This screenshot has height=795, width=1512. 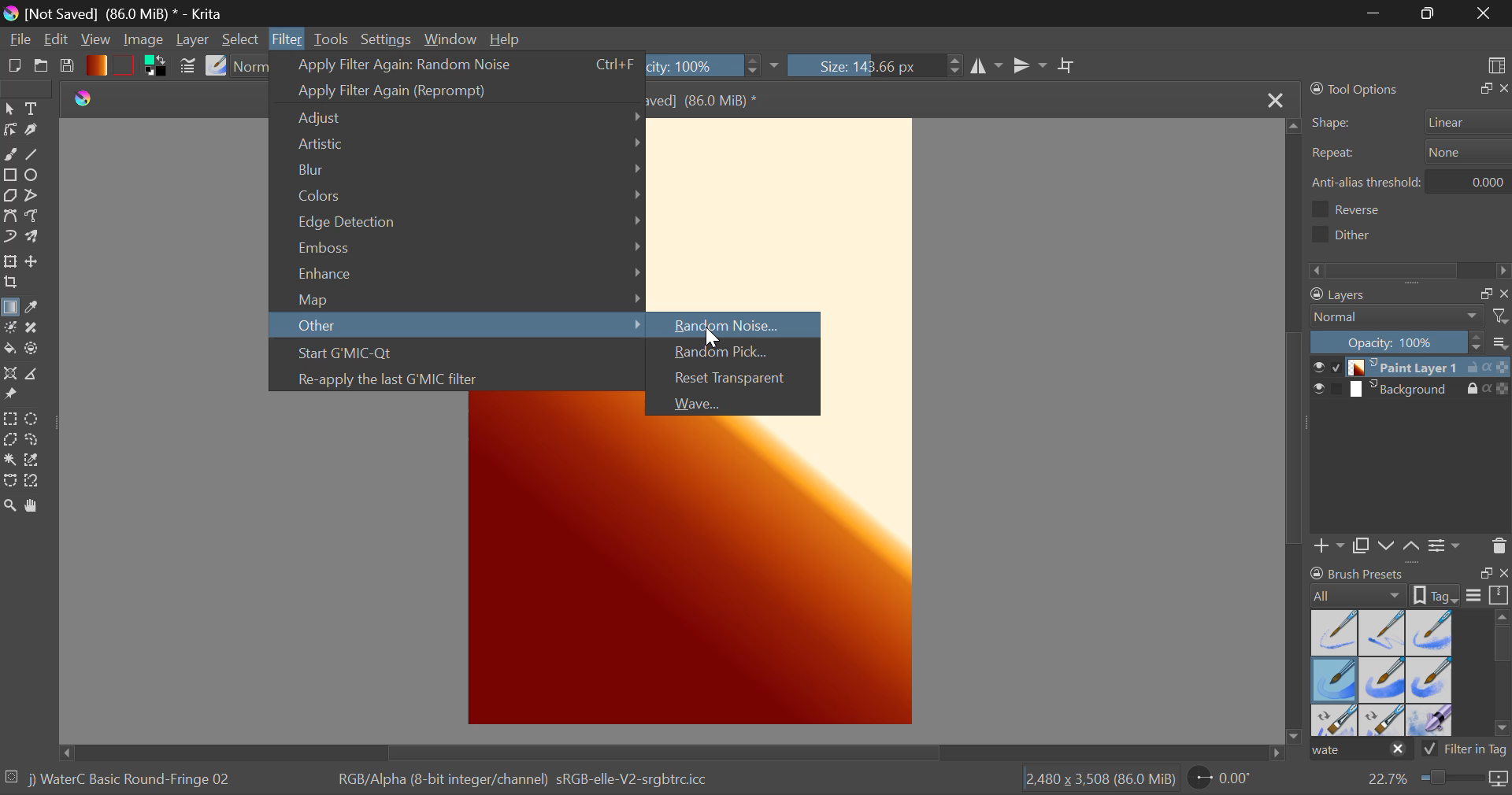 I want to click on Calligraphic Tool, so click(x=35, y=130).